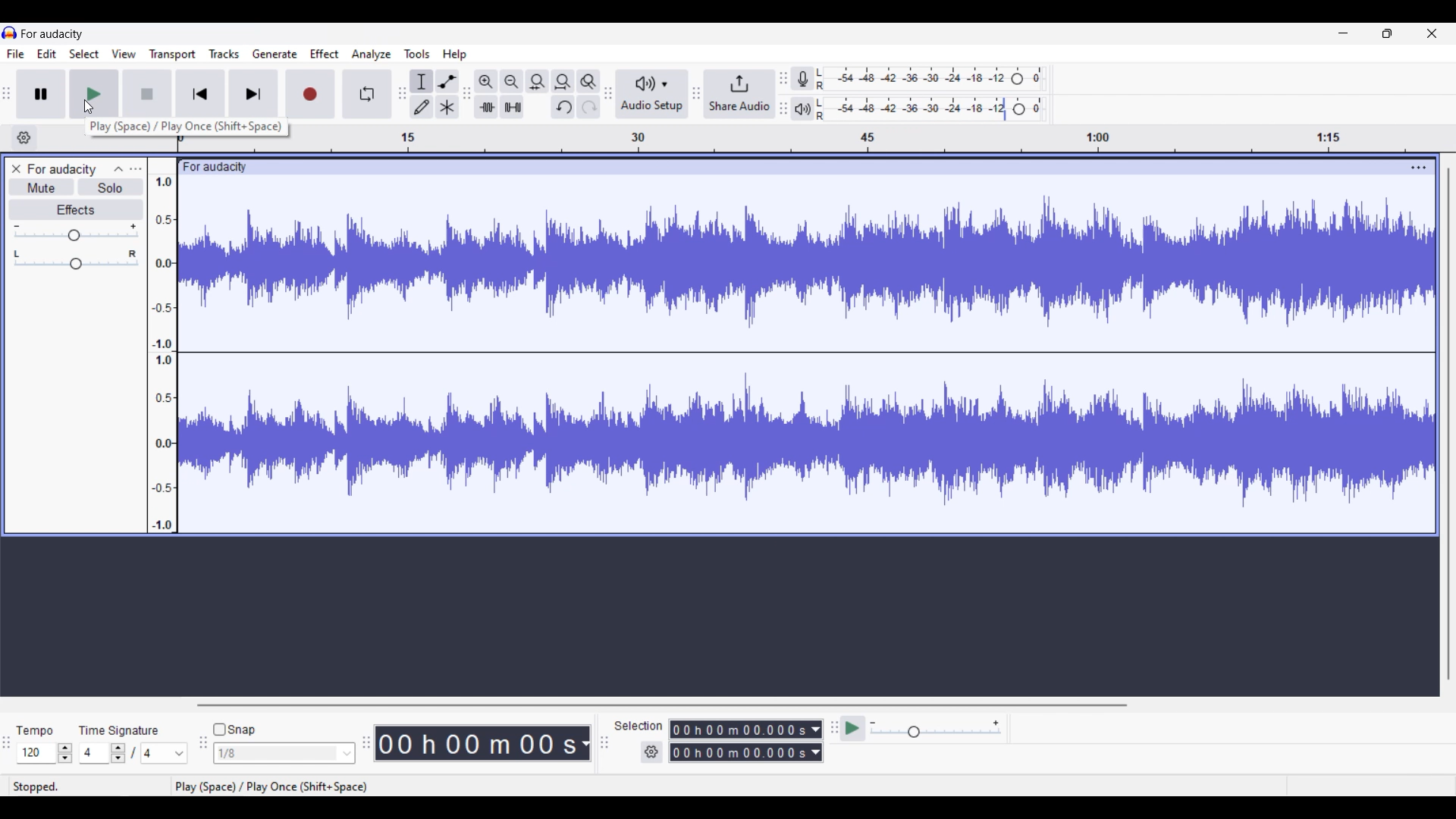  What do you see at coordinates (135, 753) in the screenshot?
I see `Time signature settings` at bounding box center [135, 753].